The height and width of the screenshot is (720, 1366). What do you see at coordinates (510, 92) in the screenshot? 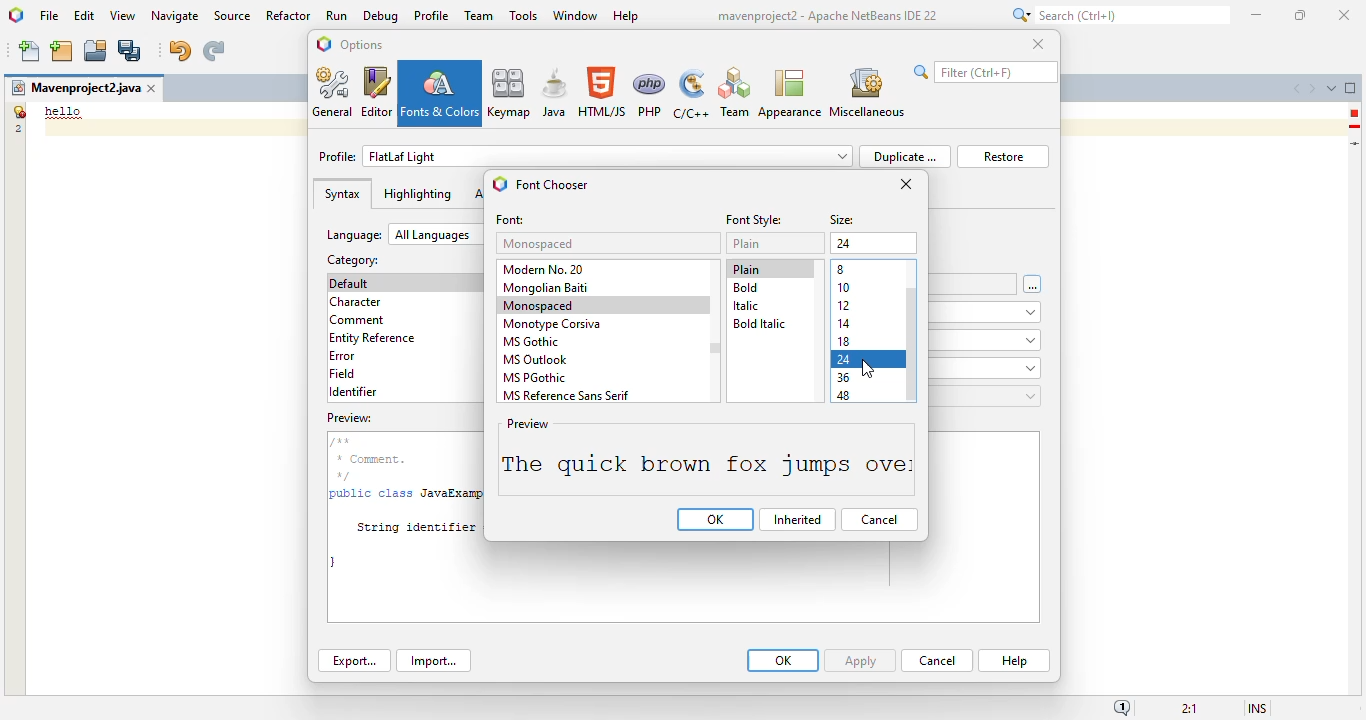
I see `keymap` at bounding box center [510, 92].